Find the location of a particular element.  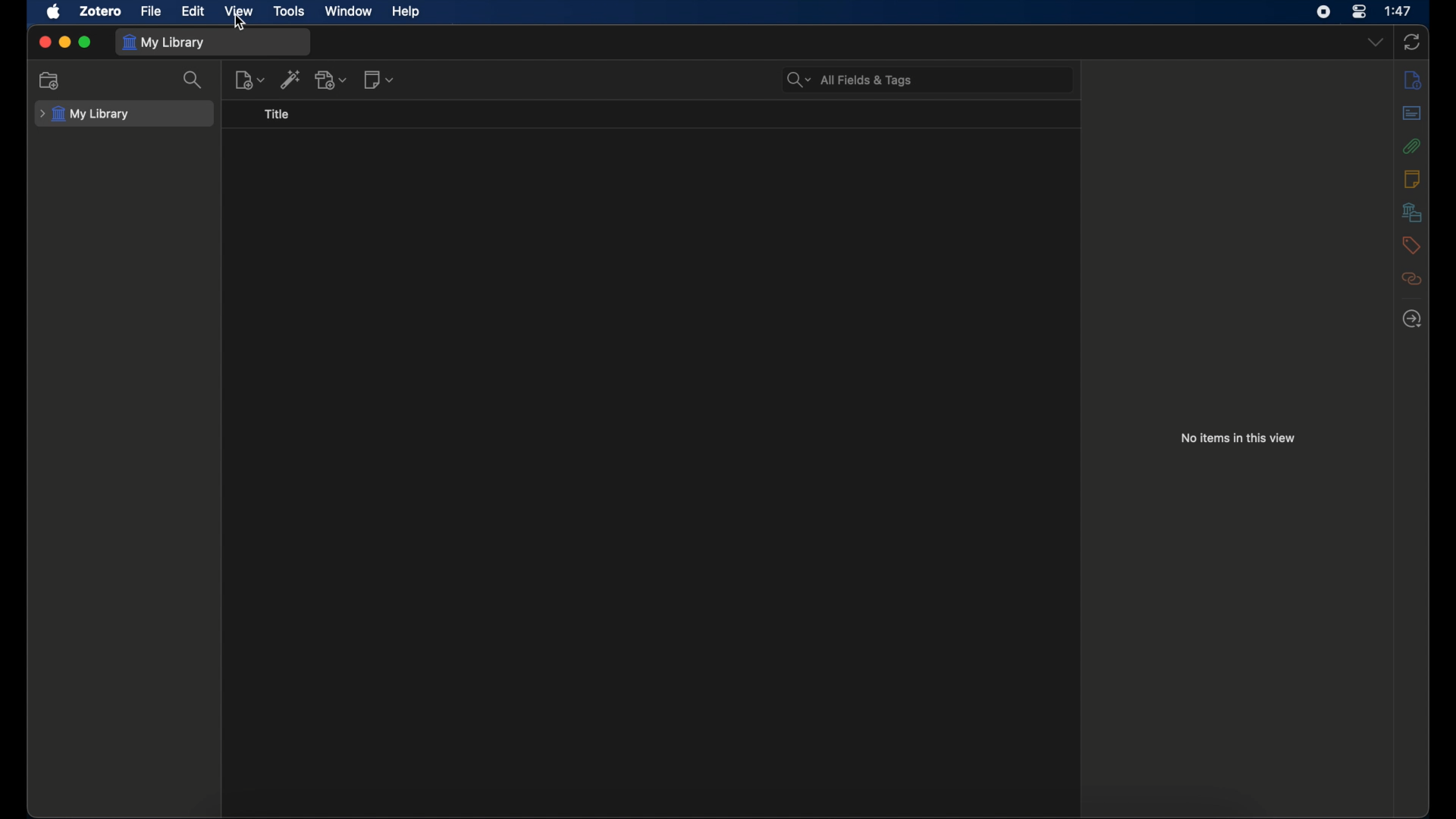

close is located at coordinates (45, 42).